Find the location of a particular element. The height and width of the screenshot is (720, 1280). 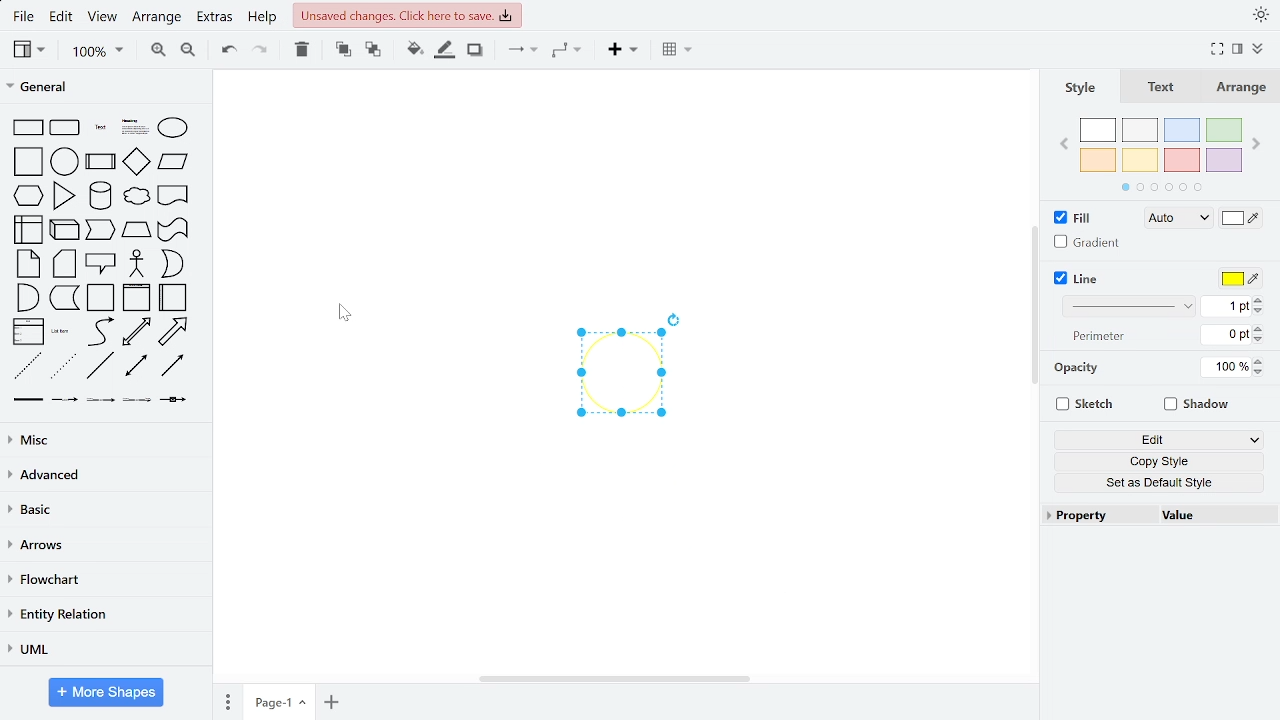

current page is located at coordinates (278, 702).